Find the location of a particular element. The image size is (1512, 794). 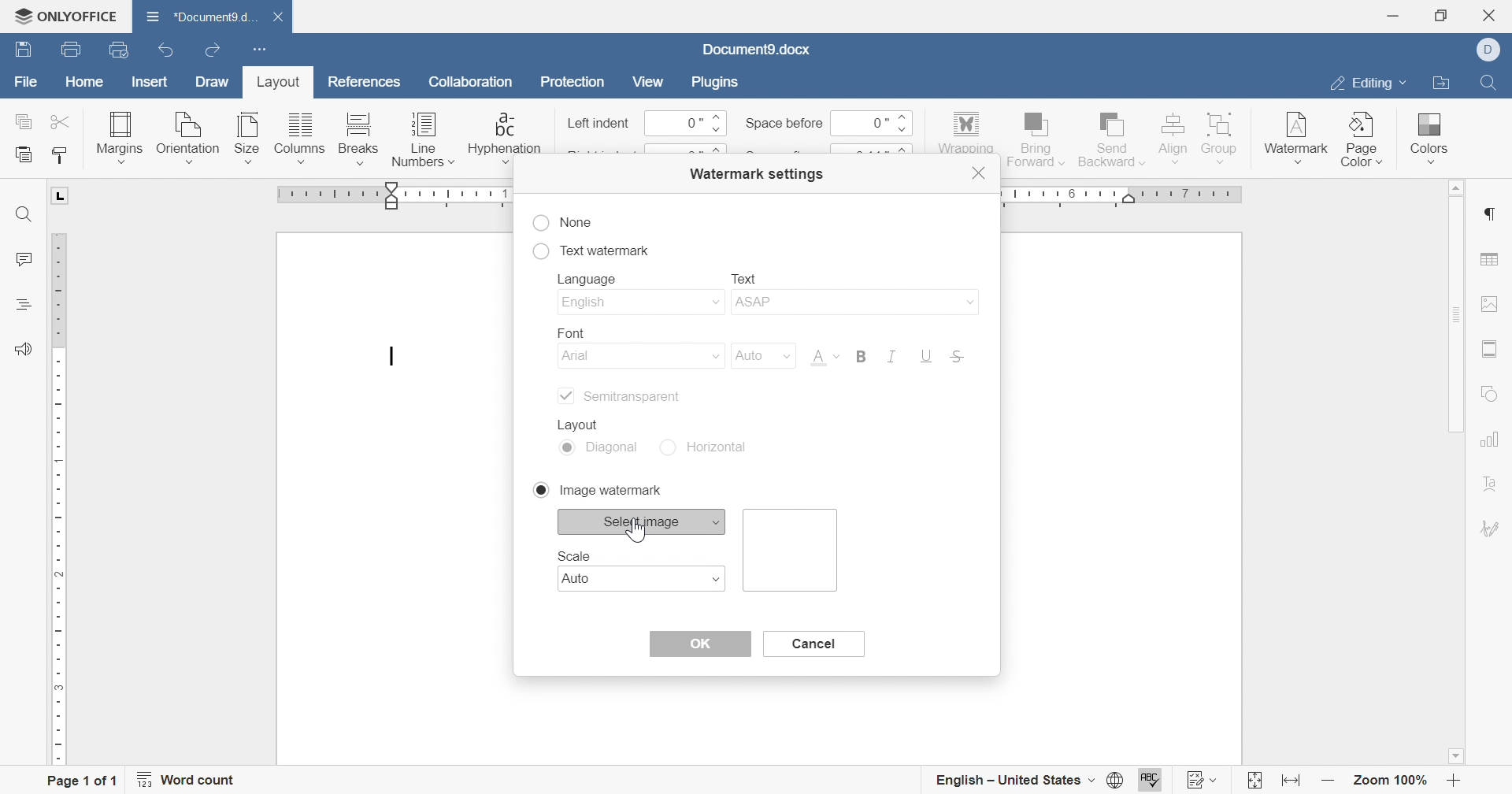

language is located at coordinates (591, 280).